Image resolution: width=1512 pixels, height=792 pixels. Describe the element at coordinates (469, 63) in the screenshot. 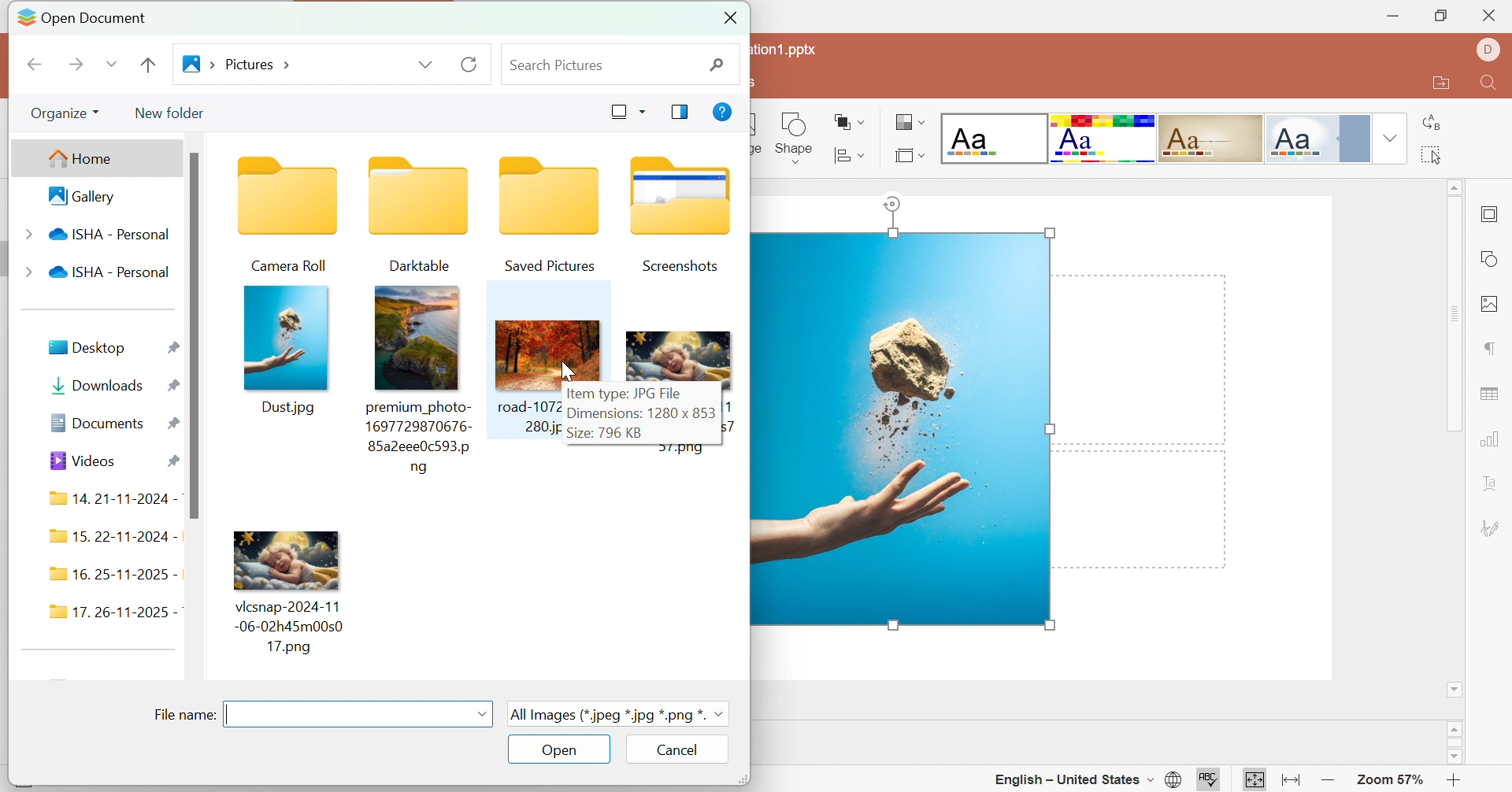

I see `Reload` at that location.